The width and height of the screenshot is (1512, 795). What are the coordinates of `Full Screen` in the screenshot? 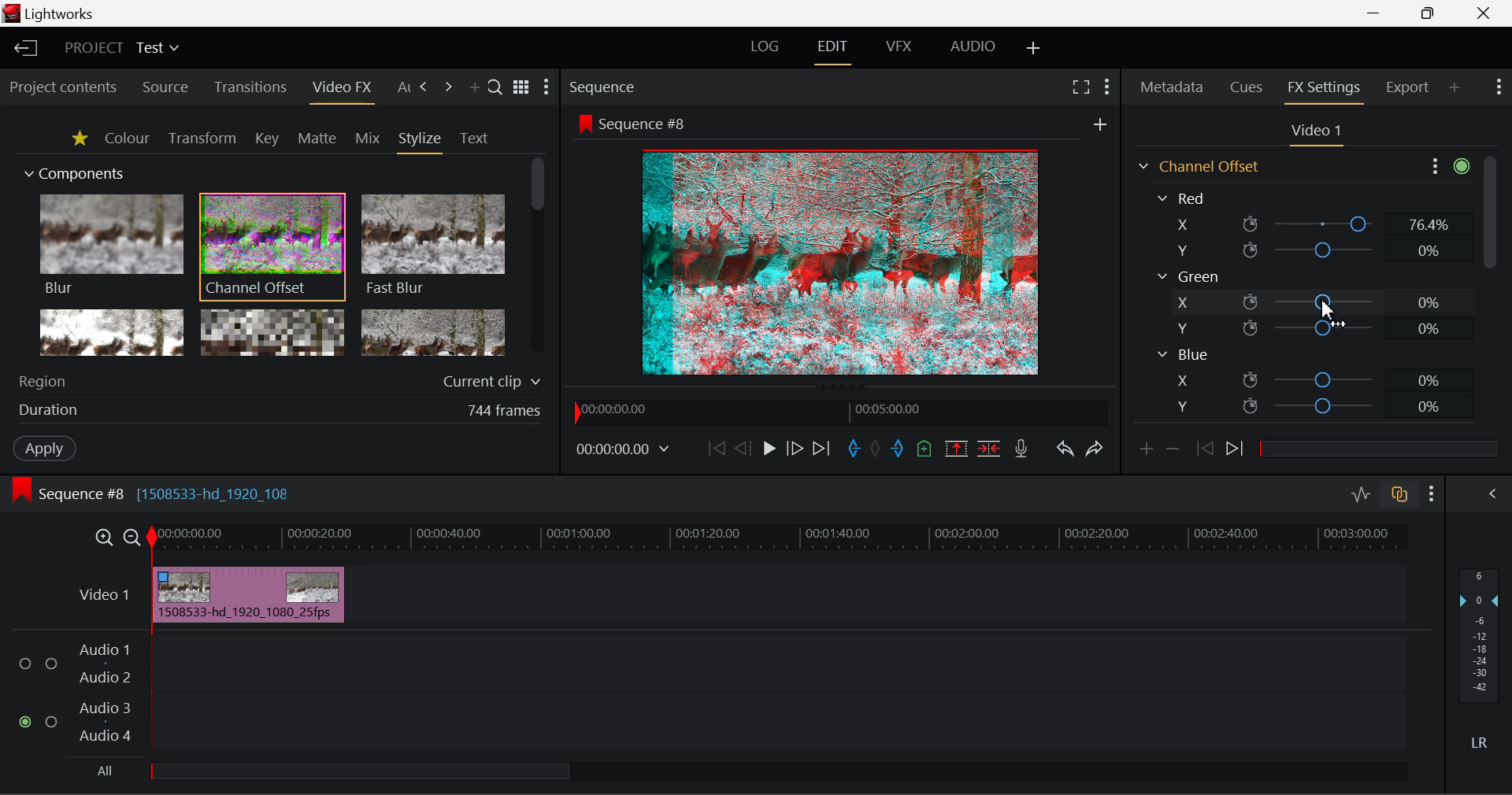 It's located at (1082, 89).